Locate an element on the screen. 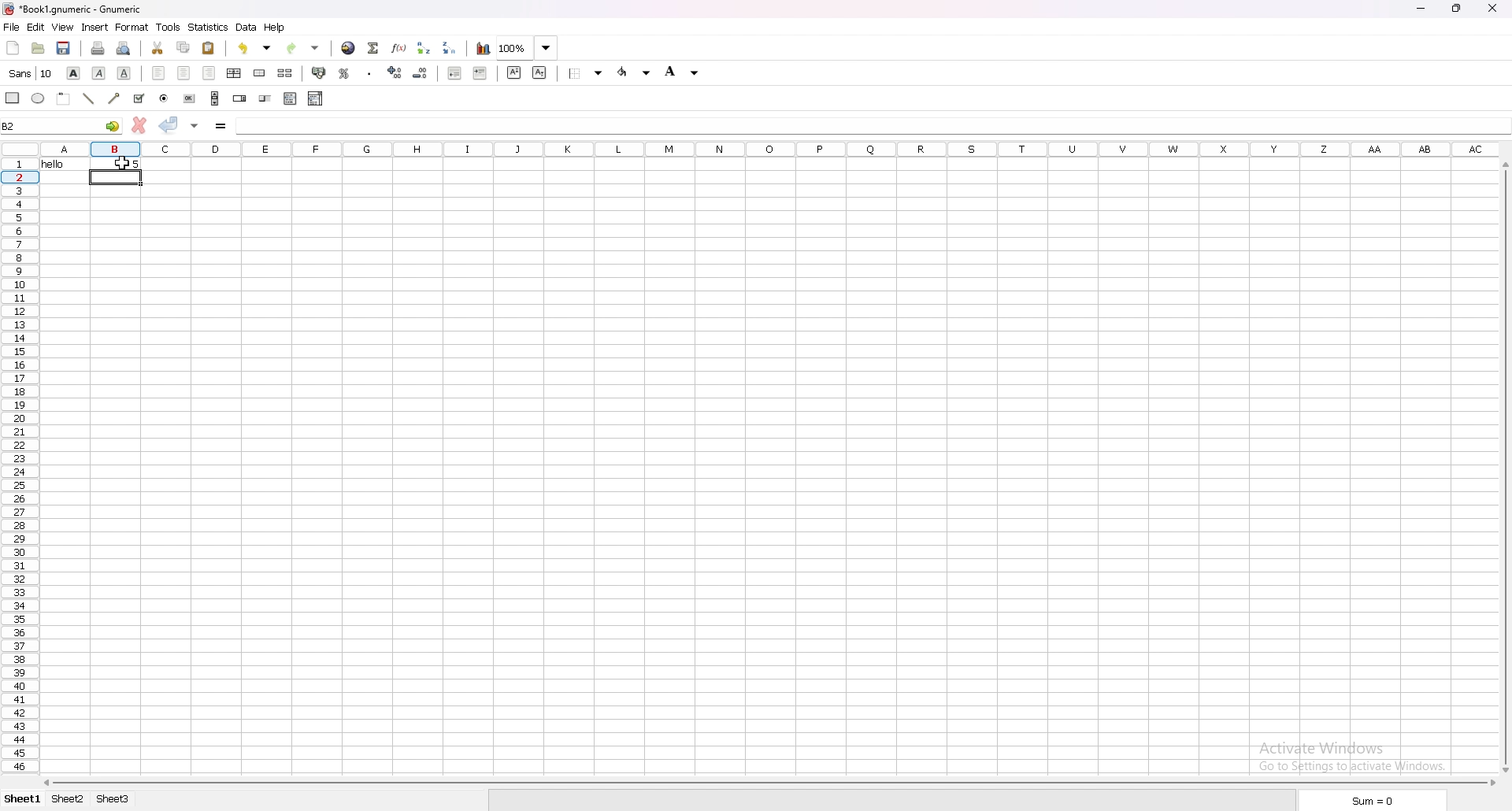  cancel change is located at coordinates (139, 125).